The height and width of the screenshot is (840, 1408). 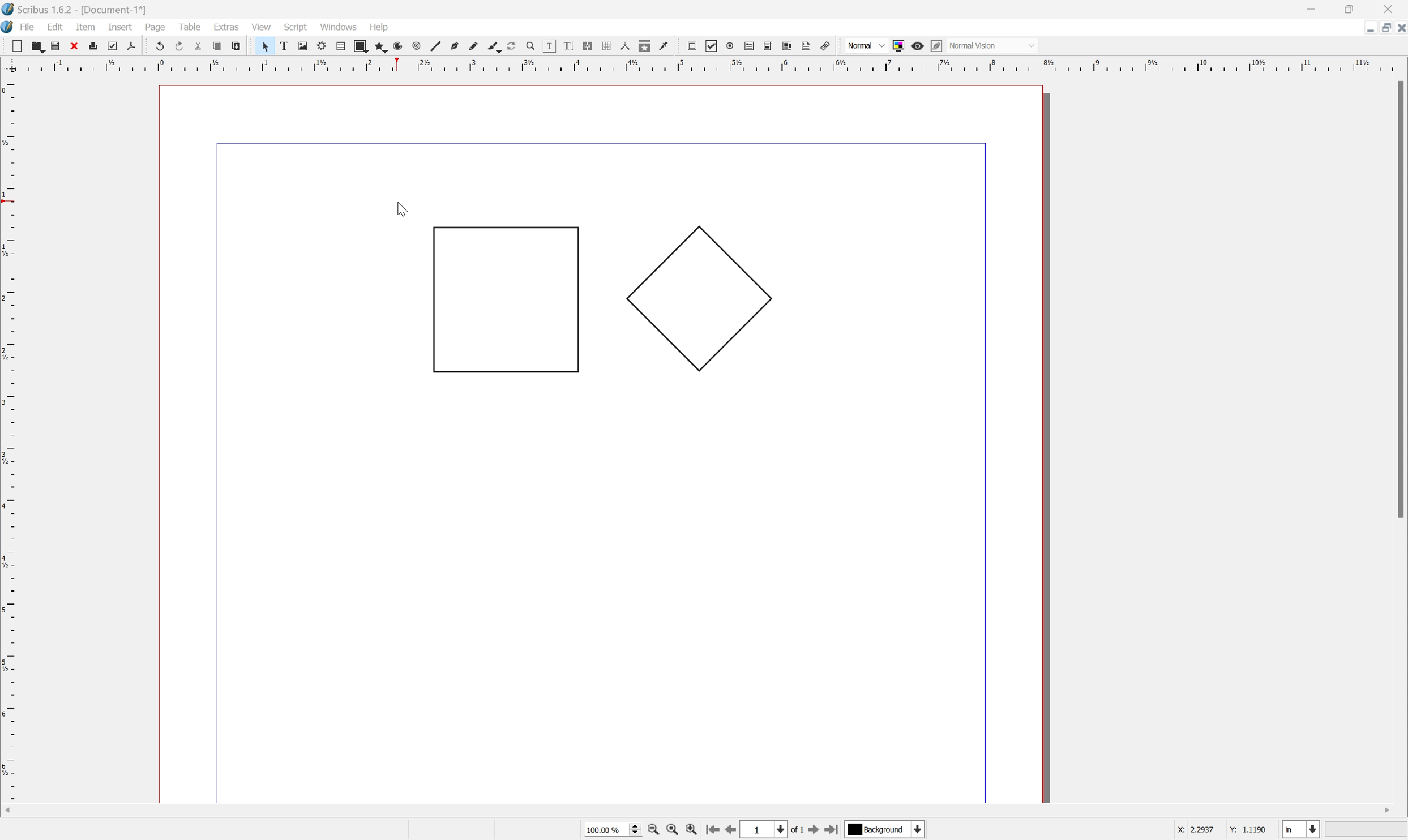 What do you see at coordinates (1384, 28) in the screenshot?
I see `Restore down` at bounding box center [1384, 28].